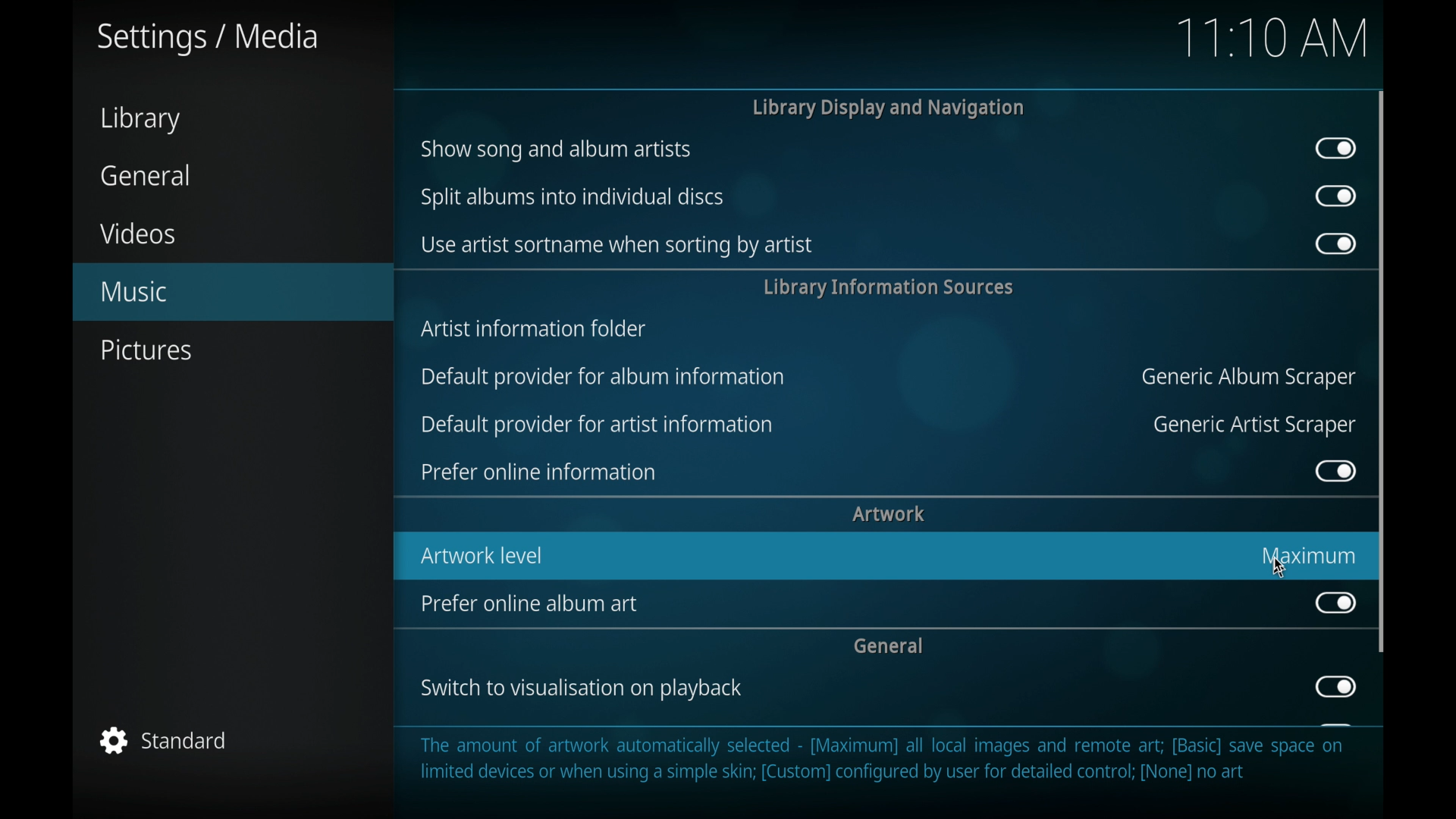 This screenshot has width=1456, height=819. Describe the element at coordinates (1280, 568) in the screenshot. I see `cursor` at that location.